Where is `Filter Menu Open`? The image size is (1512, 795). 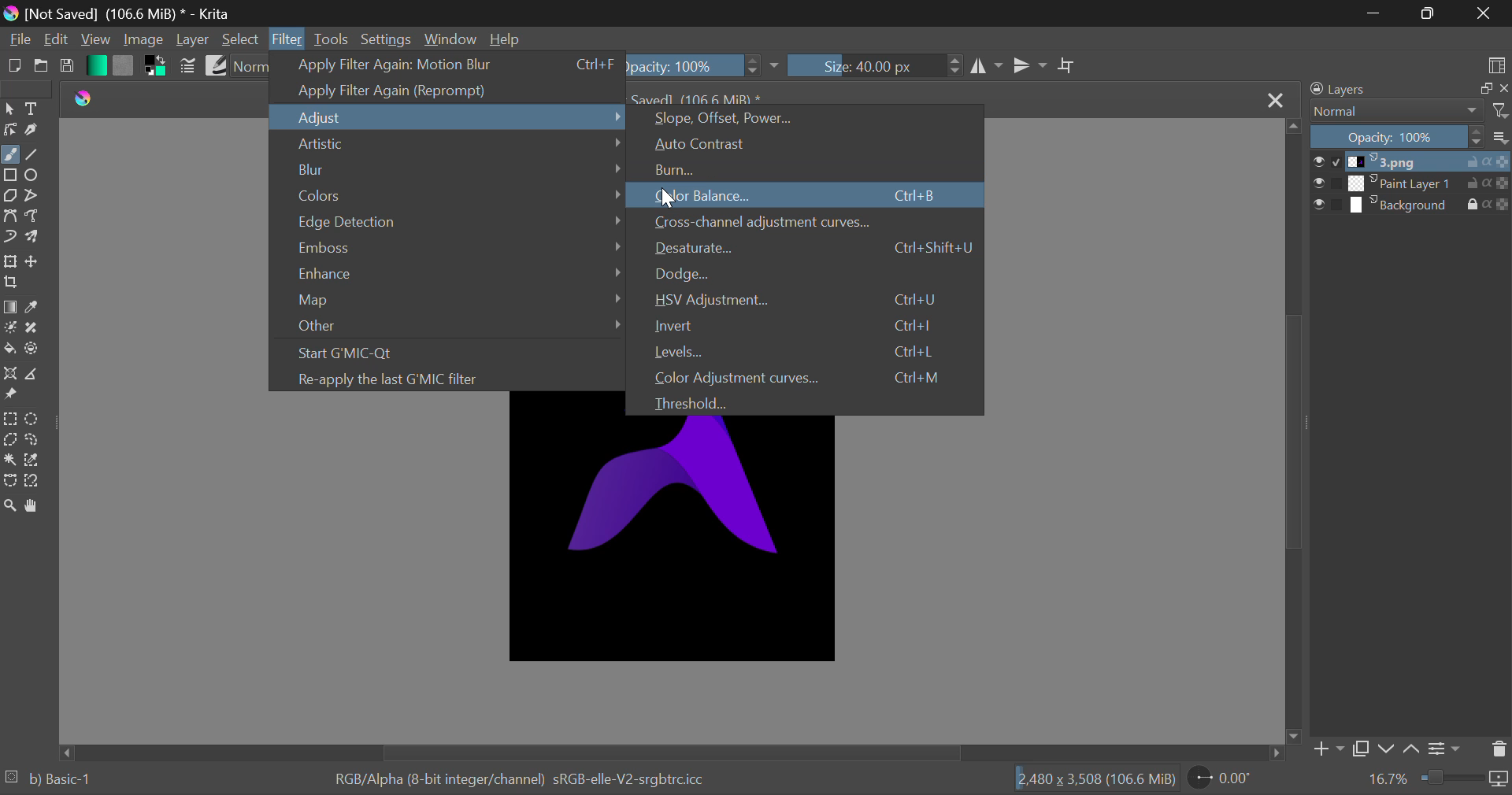 Filter Menu Open is located at coordinates (287, 38).